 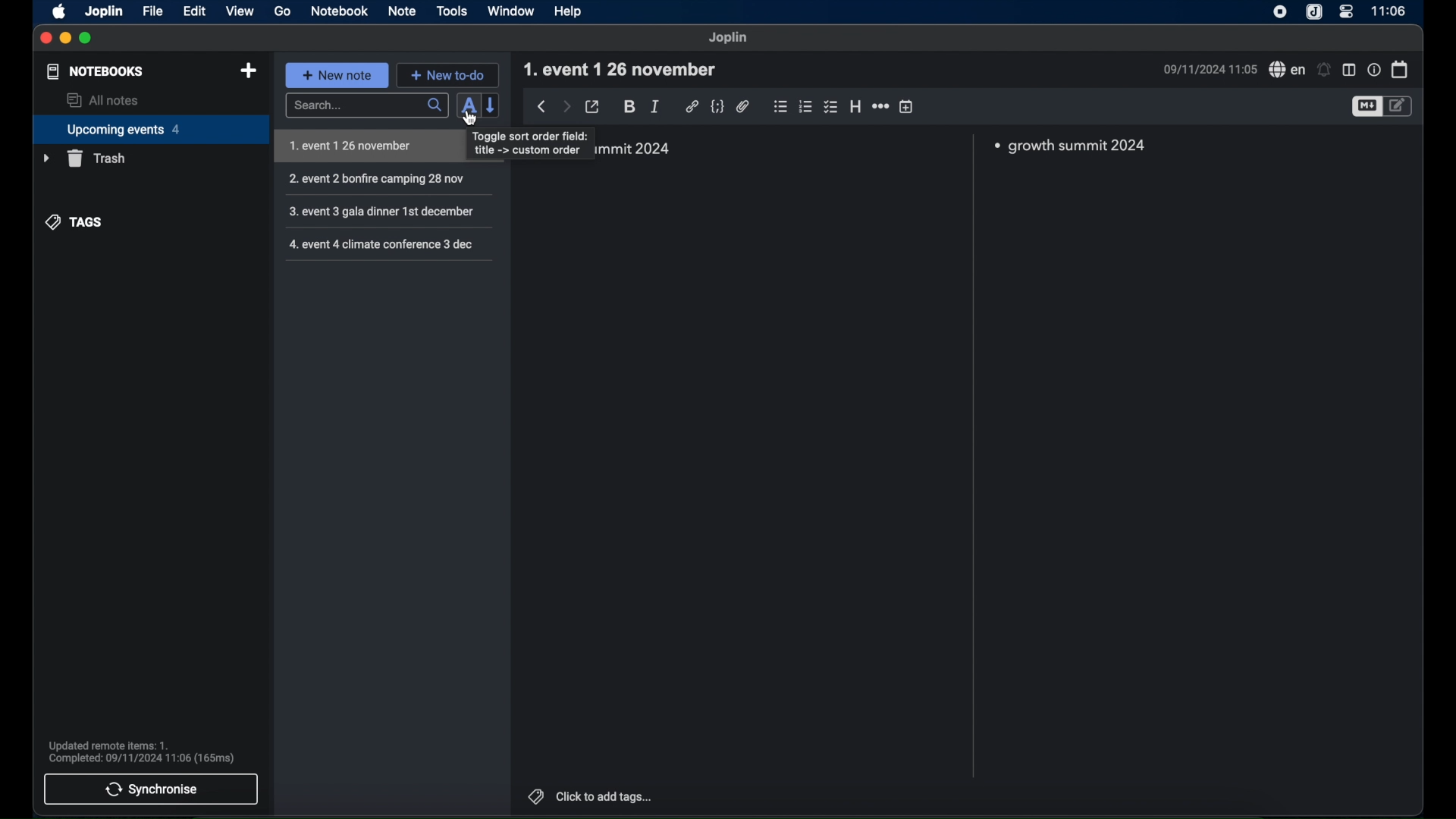 I want to click on Updated remote items: 1.
Completed: 09/11/2024 11:06 (165ms), so click(x=150, y=752).